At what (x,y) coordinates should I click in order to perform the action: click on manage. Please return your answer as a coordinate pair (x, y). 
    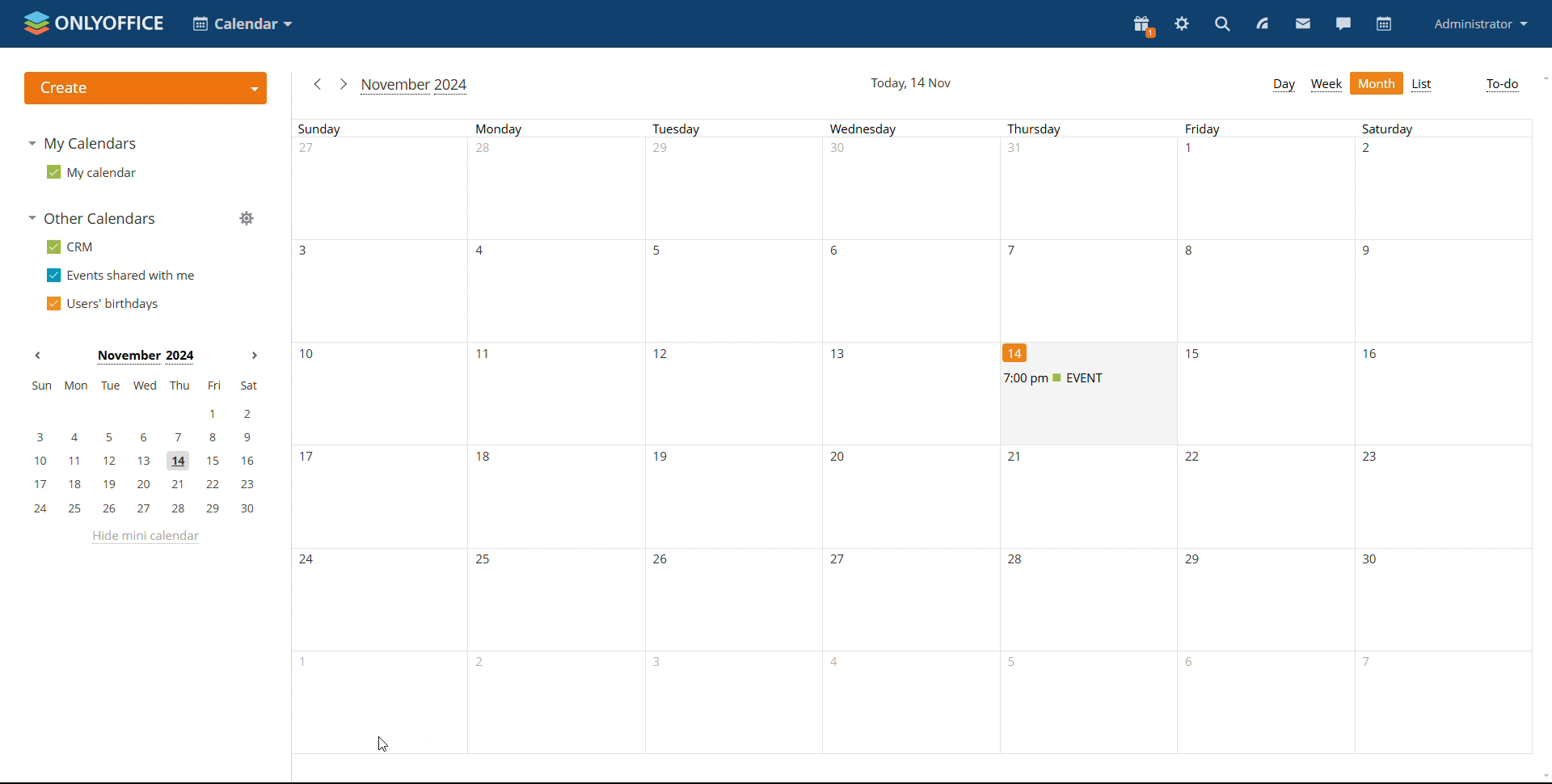
    Looking at the image, I should click on (247, 218).